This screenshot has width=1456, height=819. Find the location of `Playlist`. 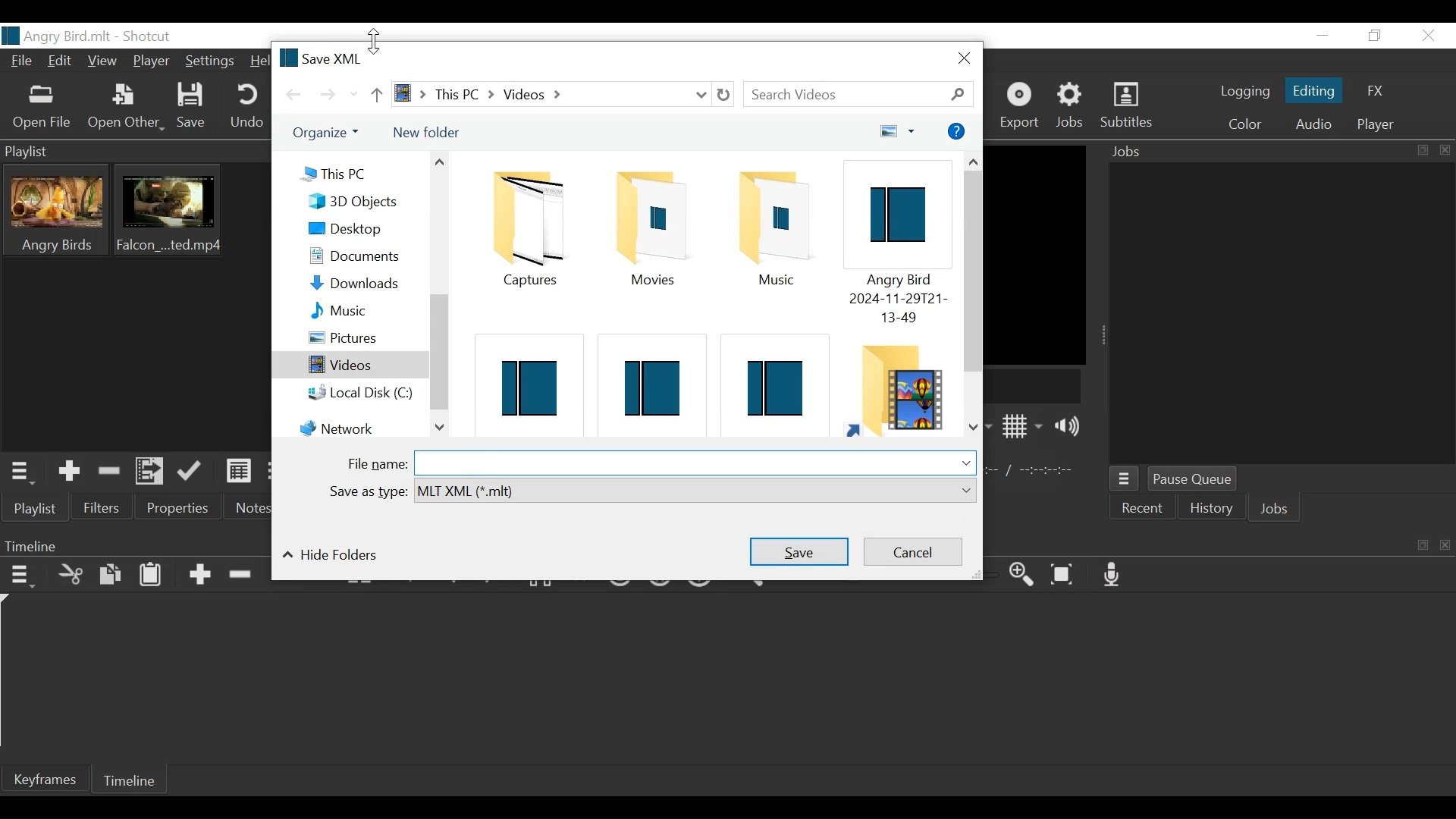

Playlist is located at coordinates (37, 510).